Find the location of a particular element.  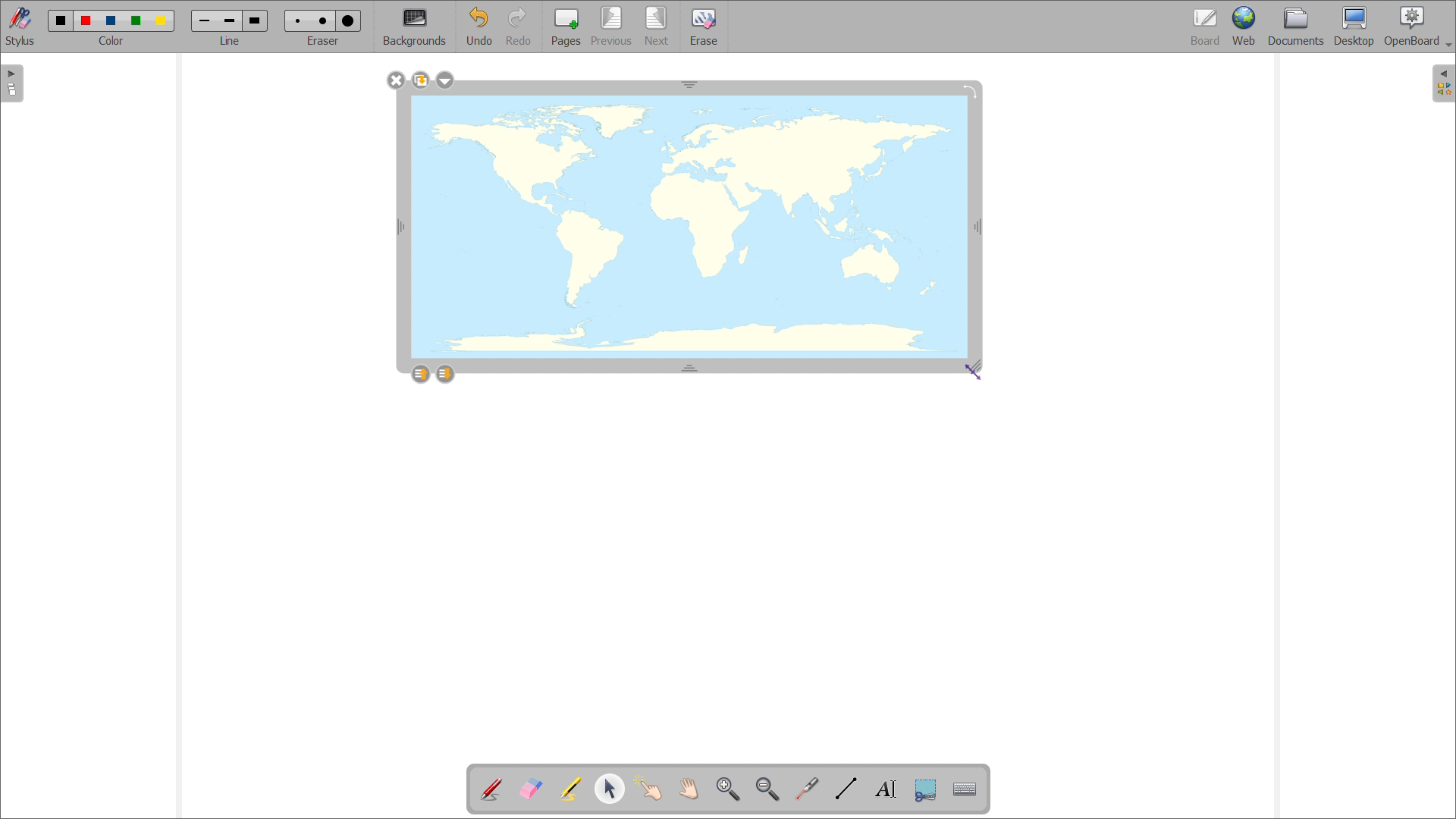

rotate is located at coordinates (969, 89).